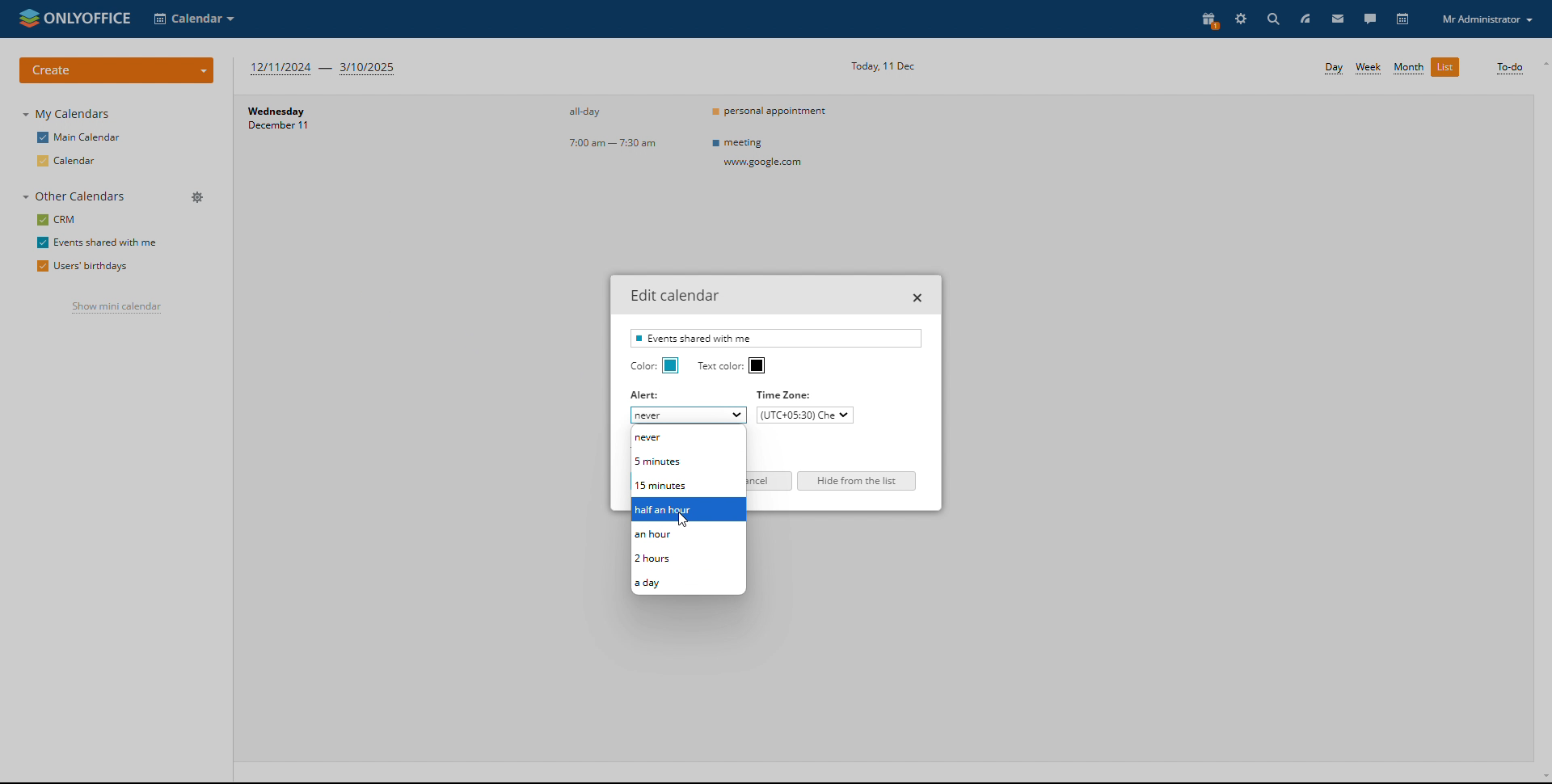 The width and height of the screenshot is (1552, 784). Describe the element at coordinates (200, 198) in the screenshot. I see `manage` at that location.